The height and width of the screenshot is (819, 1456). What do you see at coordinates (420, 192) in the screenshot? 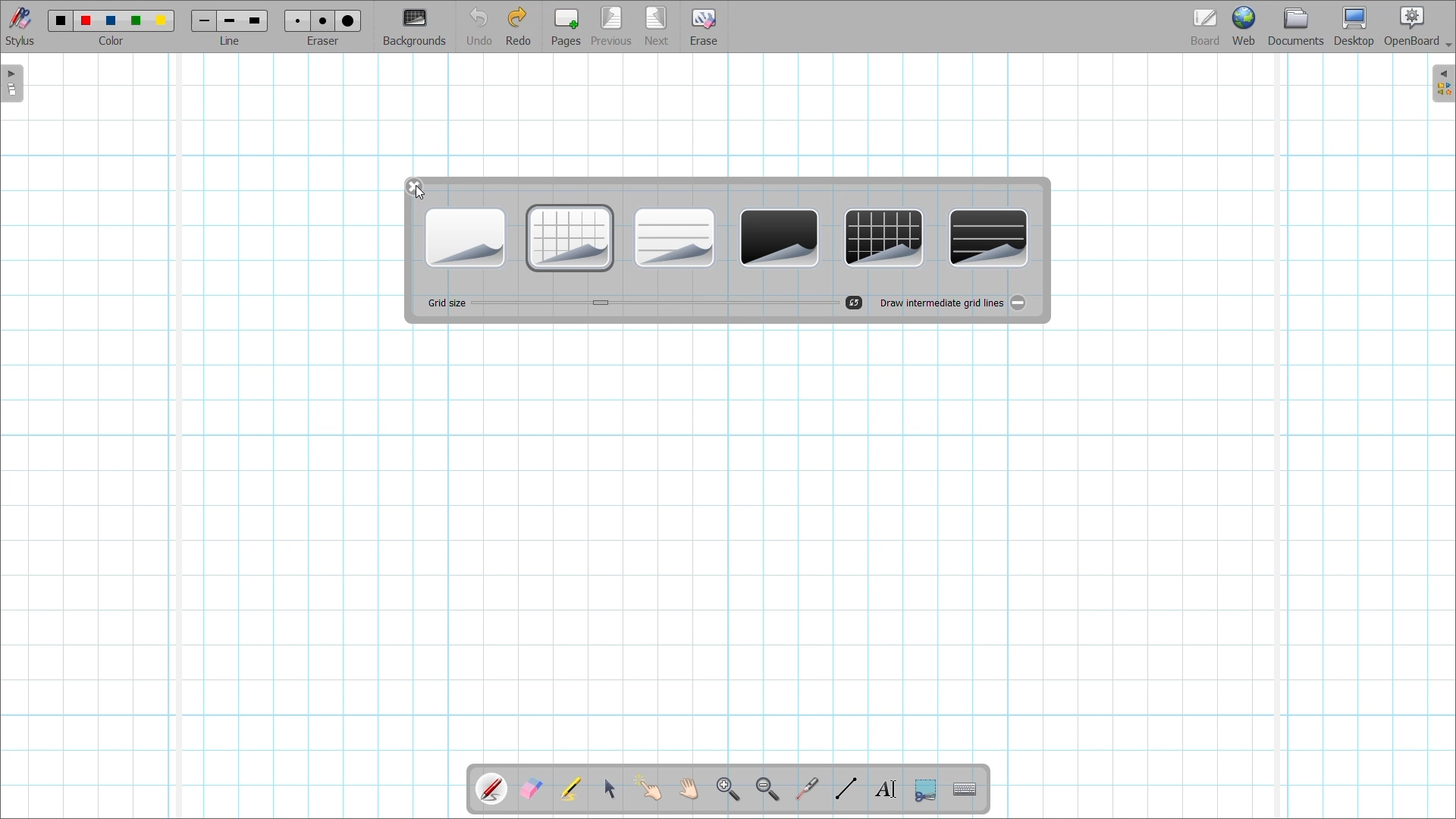
I see `Cursor` at bounding box center [420, 192].